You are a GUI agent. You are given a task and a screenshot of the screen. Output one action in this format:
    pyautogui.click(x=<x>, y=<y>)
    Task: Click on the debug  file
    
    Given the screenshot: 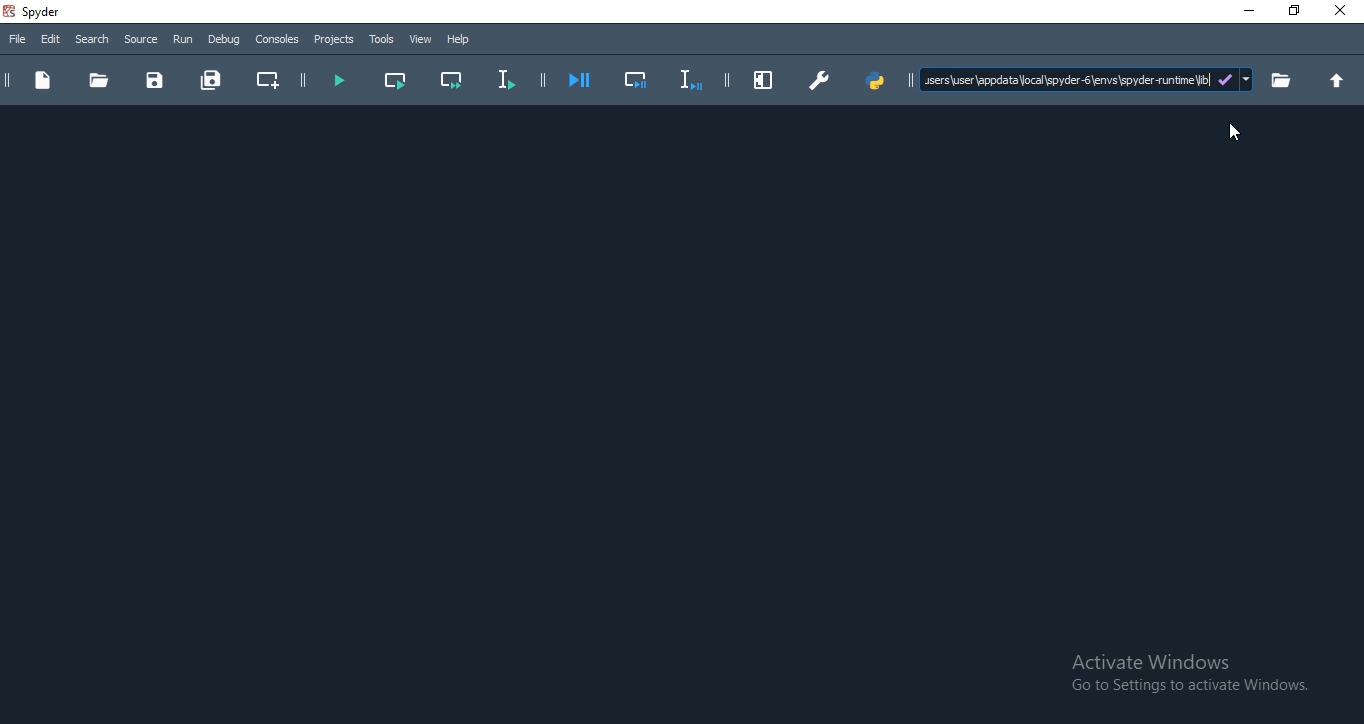 What is the action you would take?
    pyautogui.click(x=581, y=81)
    